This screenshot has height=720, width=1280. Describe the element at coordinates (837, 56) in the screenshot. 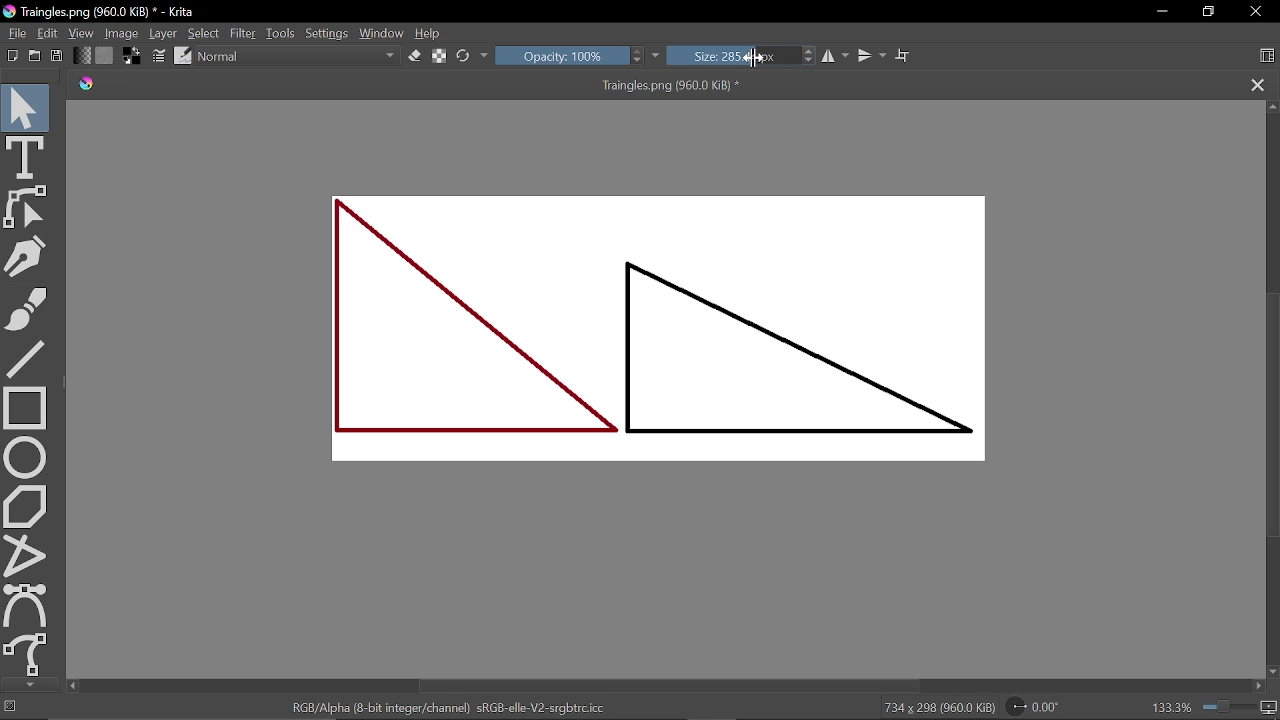

I see `Horizontal mirrior tool ` at that location.